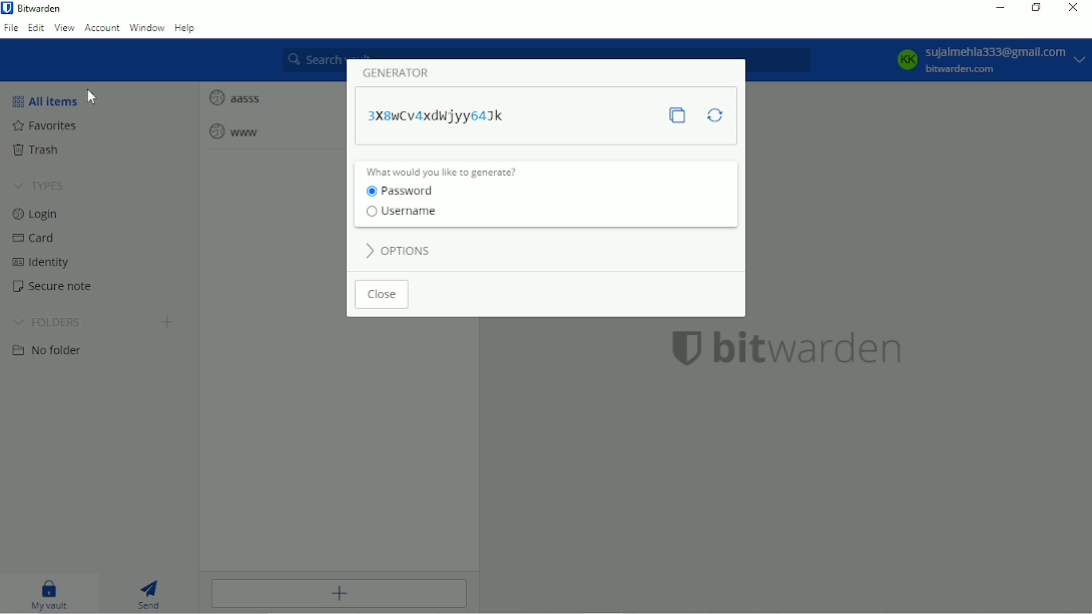  What do you see at coordinates (146, 28) in the screenshot?
I see `Window` at bounding box center [146, 28].